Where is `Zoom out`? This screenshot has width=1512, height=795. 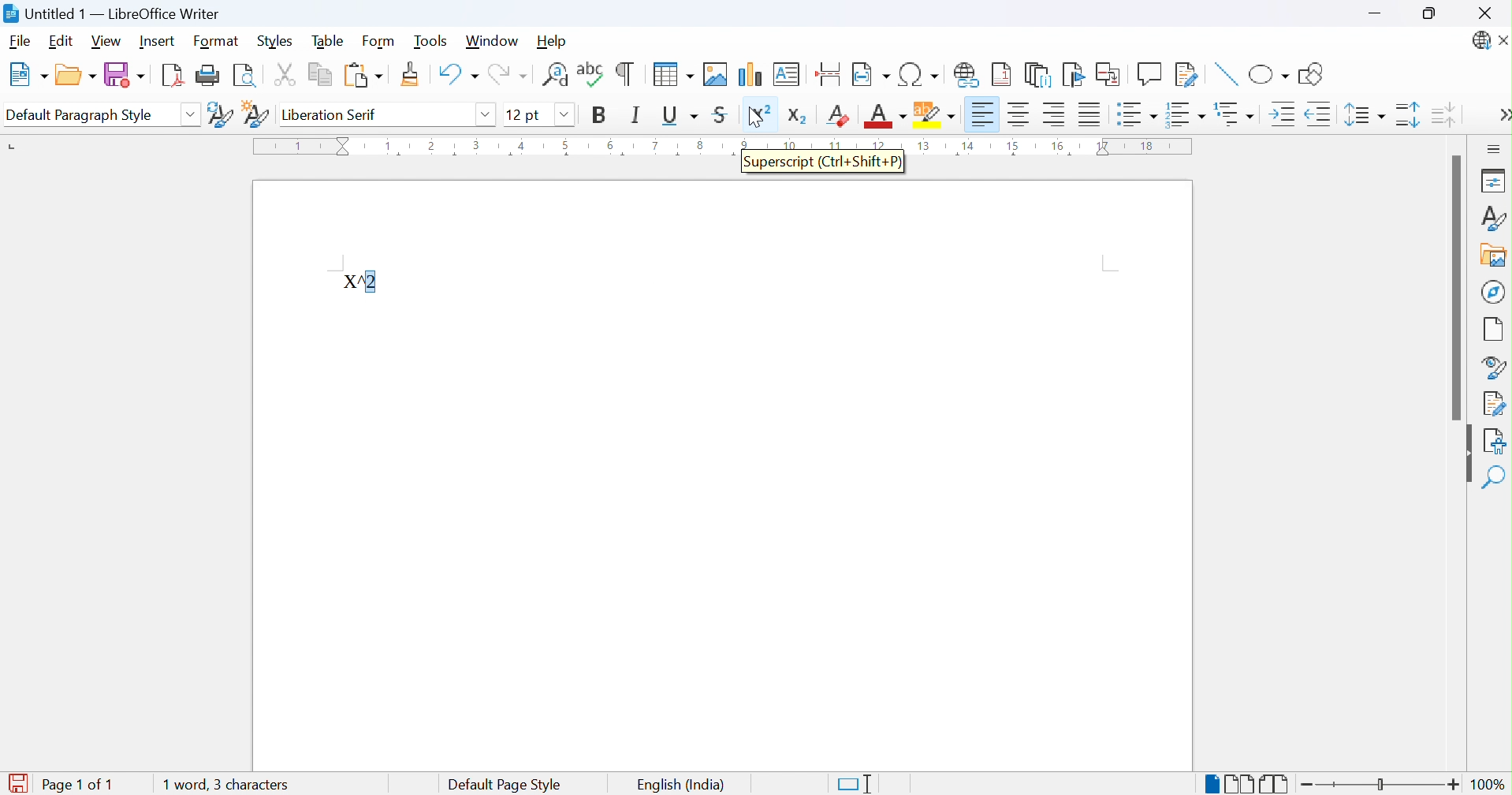 Zoom out is located at coordinates (1307, 788).